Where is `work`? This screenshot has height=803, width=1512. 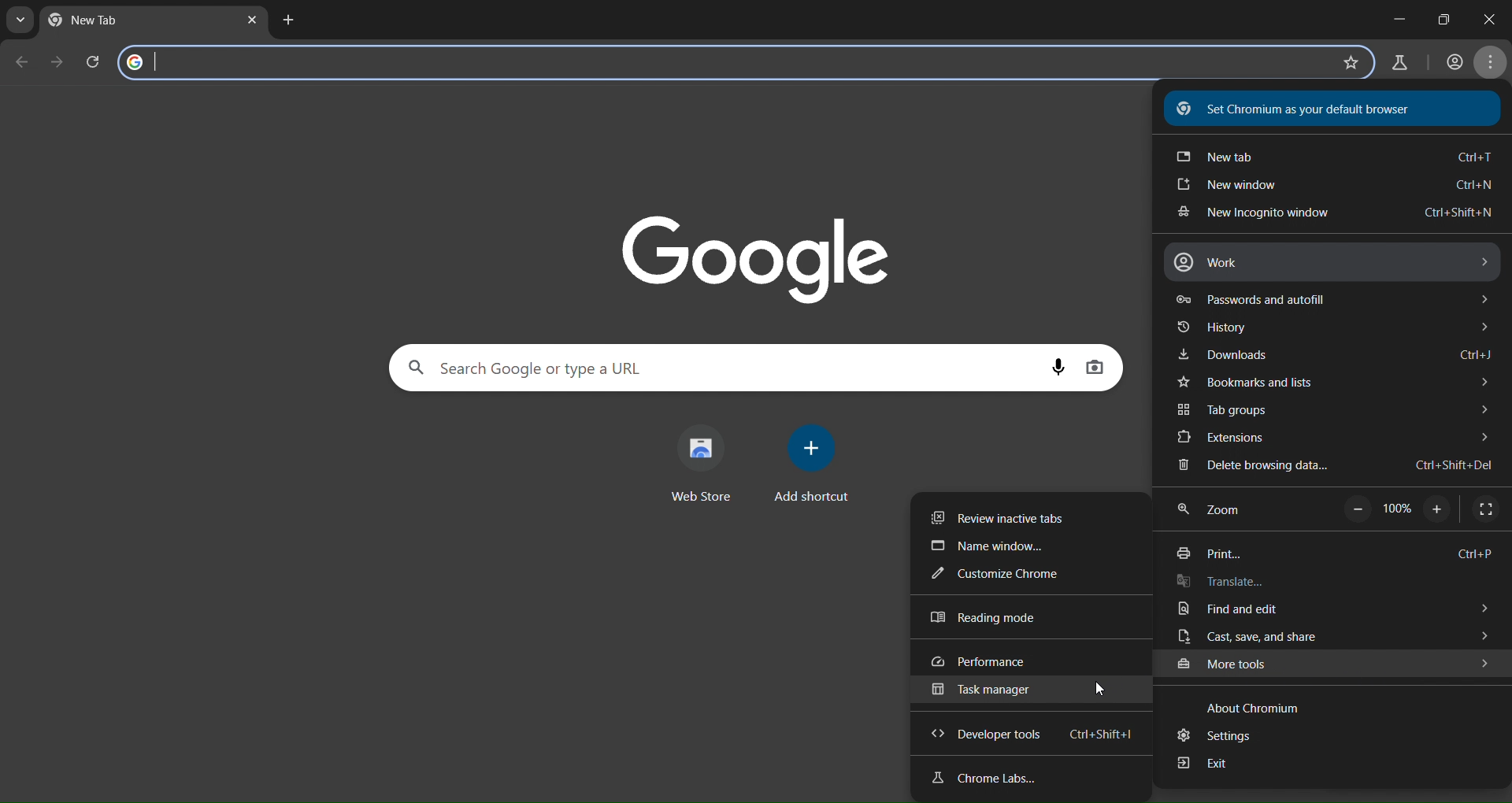
work is located at coordinates (1332, 262).